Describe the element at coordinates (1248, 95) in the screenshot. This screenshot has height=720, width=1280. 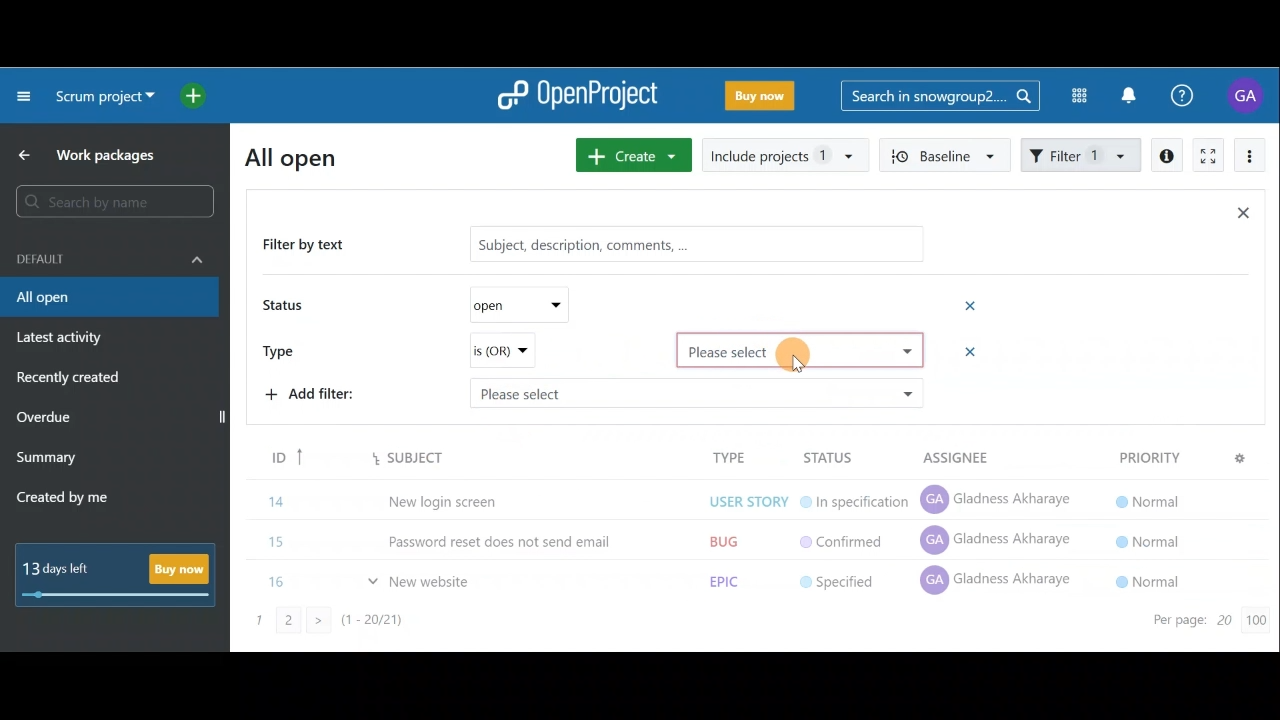
I see `Account name` at that location.